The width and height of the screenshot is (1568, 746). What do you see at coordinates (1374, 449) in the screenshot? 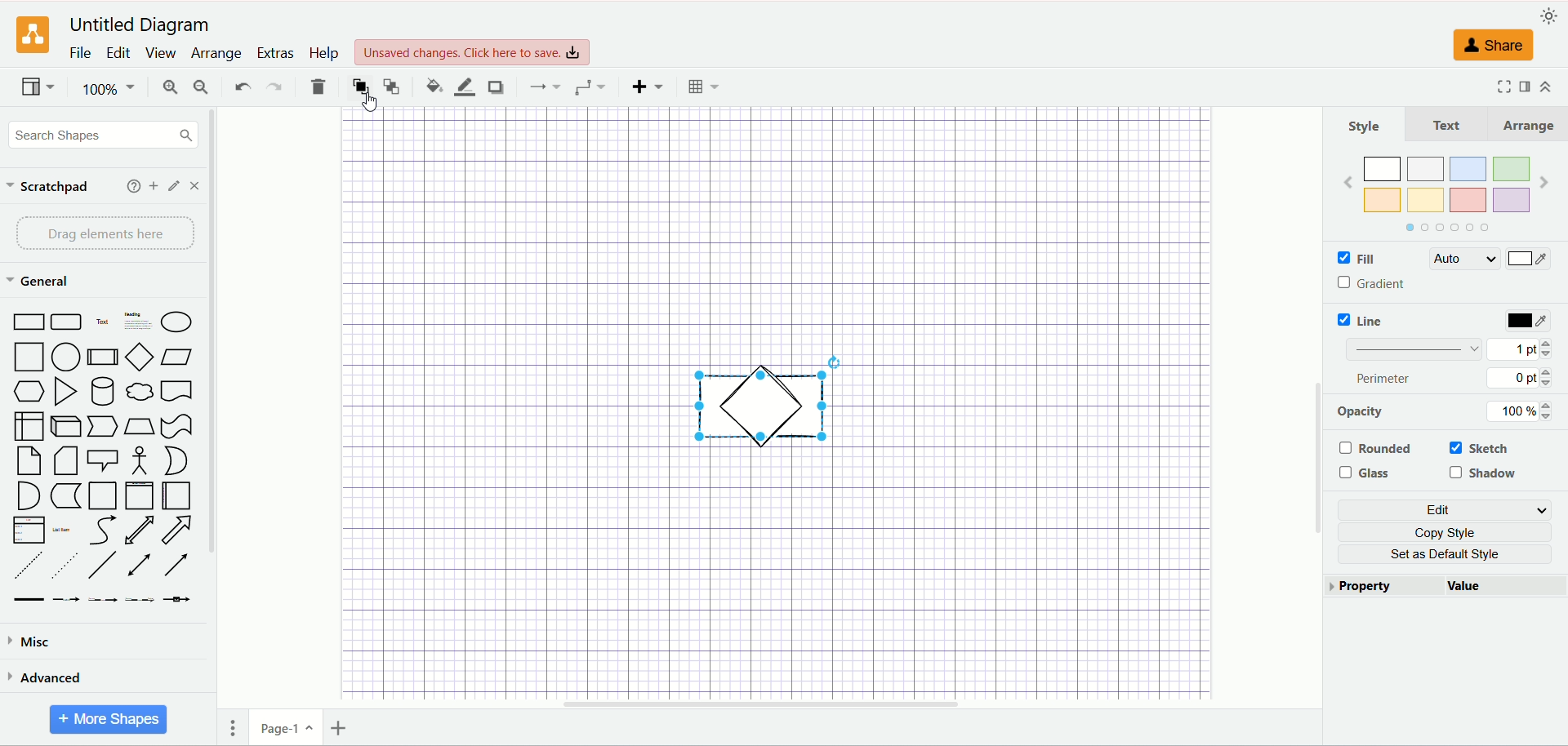
I see `rounded` at bounding box center [1374, 449].